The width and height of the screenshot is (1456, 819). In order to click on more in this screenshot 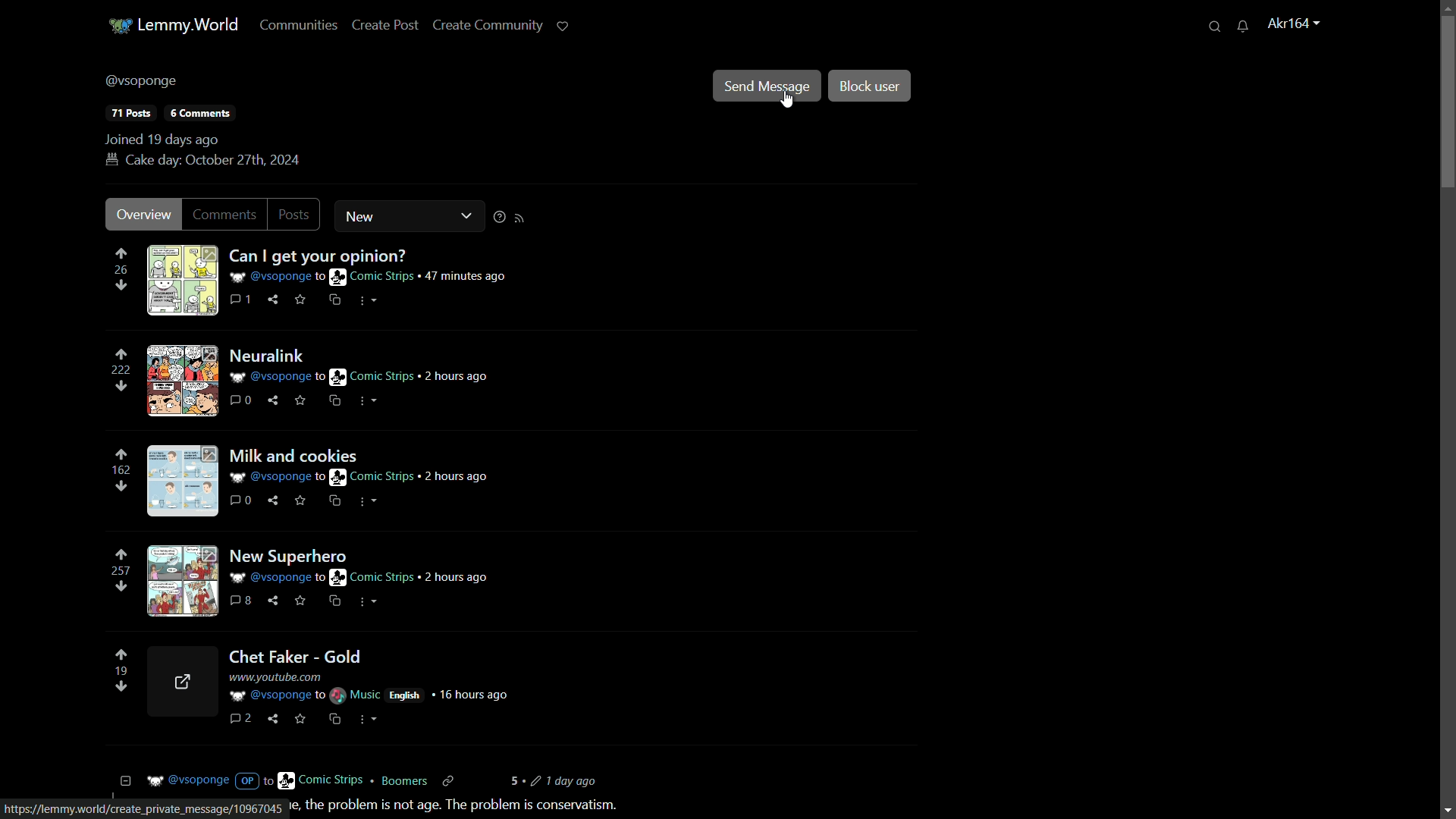, I will do `click(368, 301)`.